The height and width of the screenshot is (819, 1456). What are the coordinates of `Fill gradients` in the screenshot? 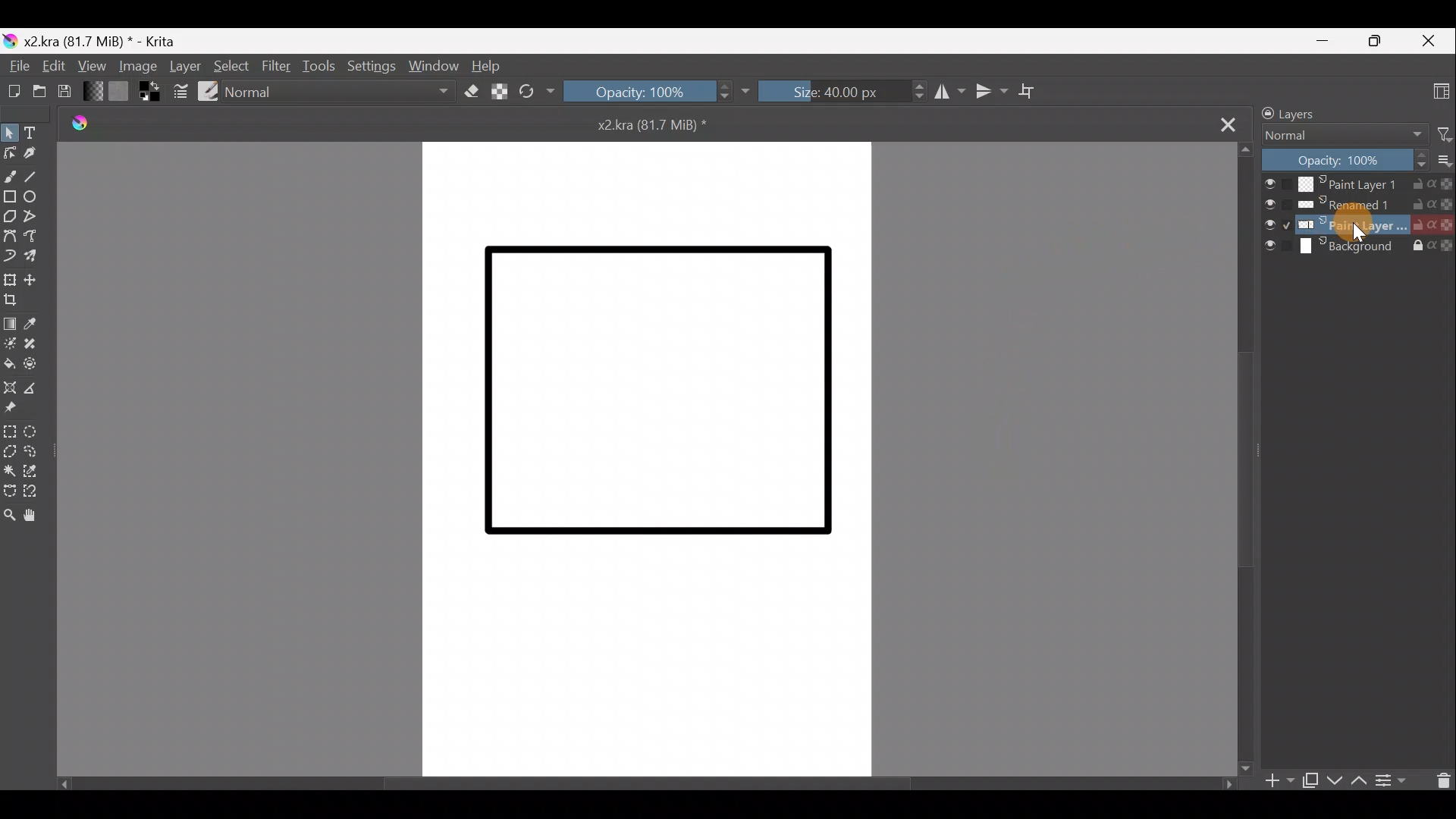 It's located at (93, 92).